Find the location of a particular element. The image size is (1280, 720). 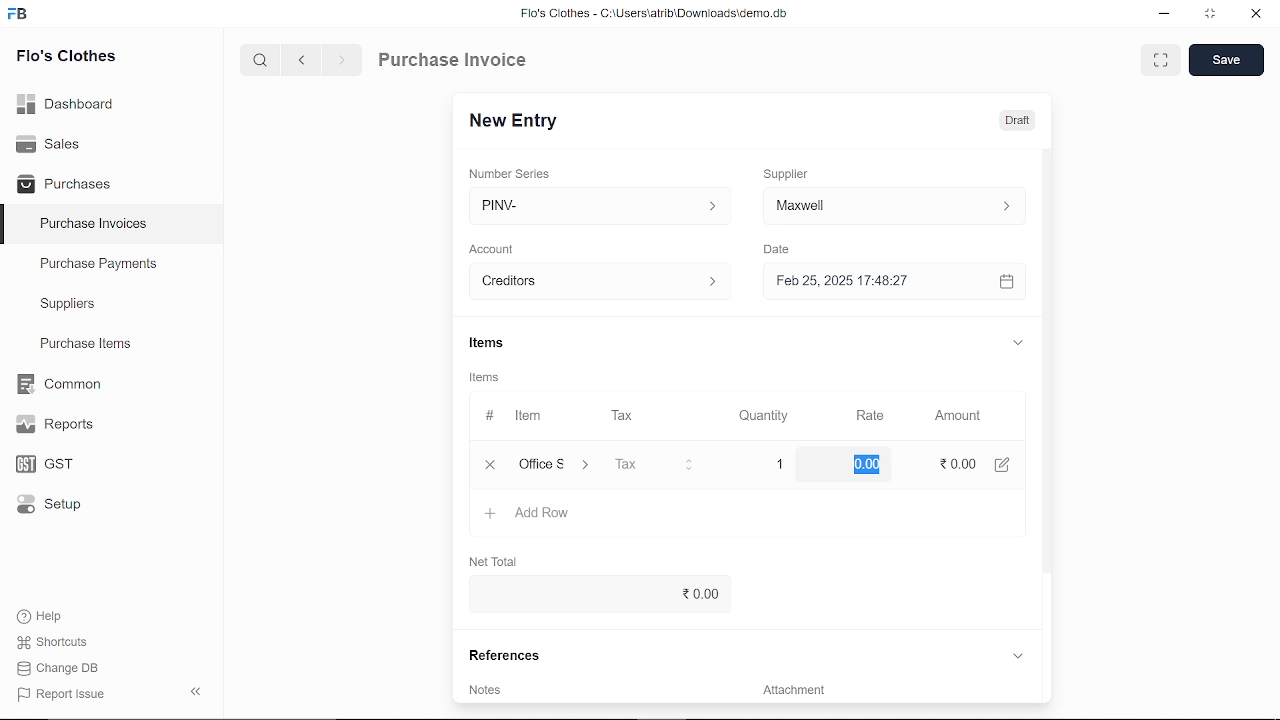

 Feb 25, 2025 17:48:27 is located at coordinates (874, 281).